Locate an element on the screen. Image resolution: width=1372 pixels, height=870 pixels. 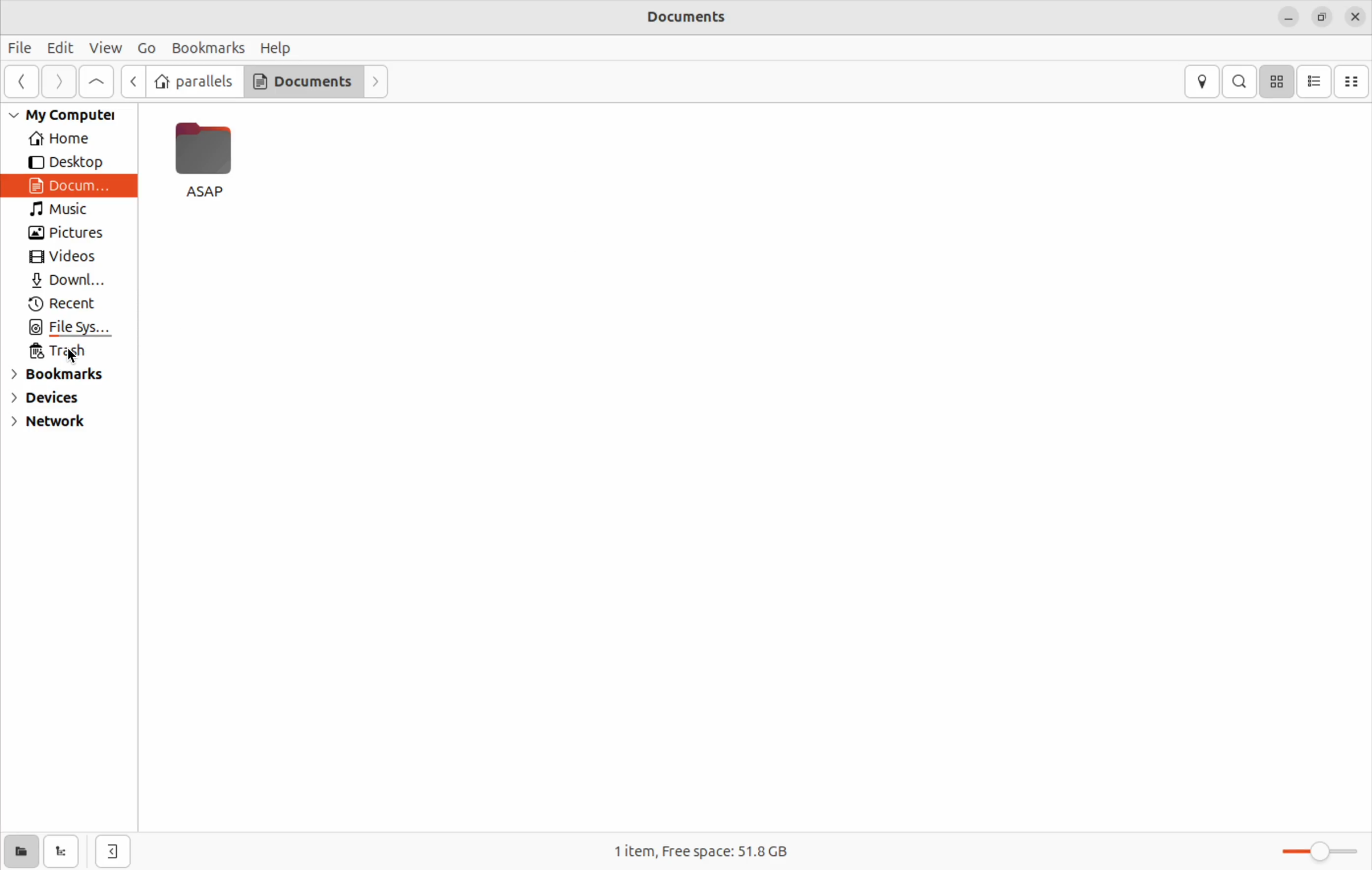
compact view is located at coordinates (1354, 82).